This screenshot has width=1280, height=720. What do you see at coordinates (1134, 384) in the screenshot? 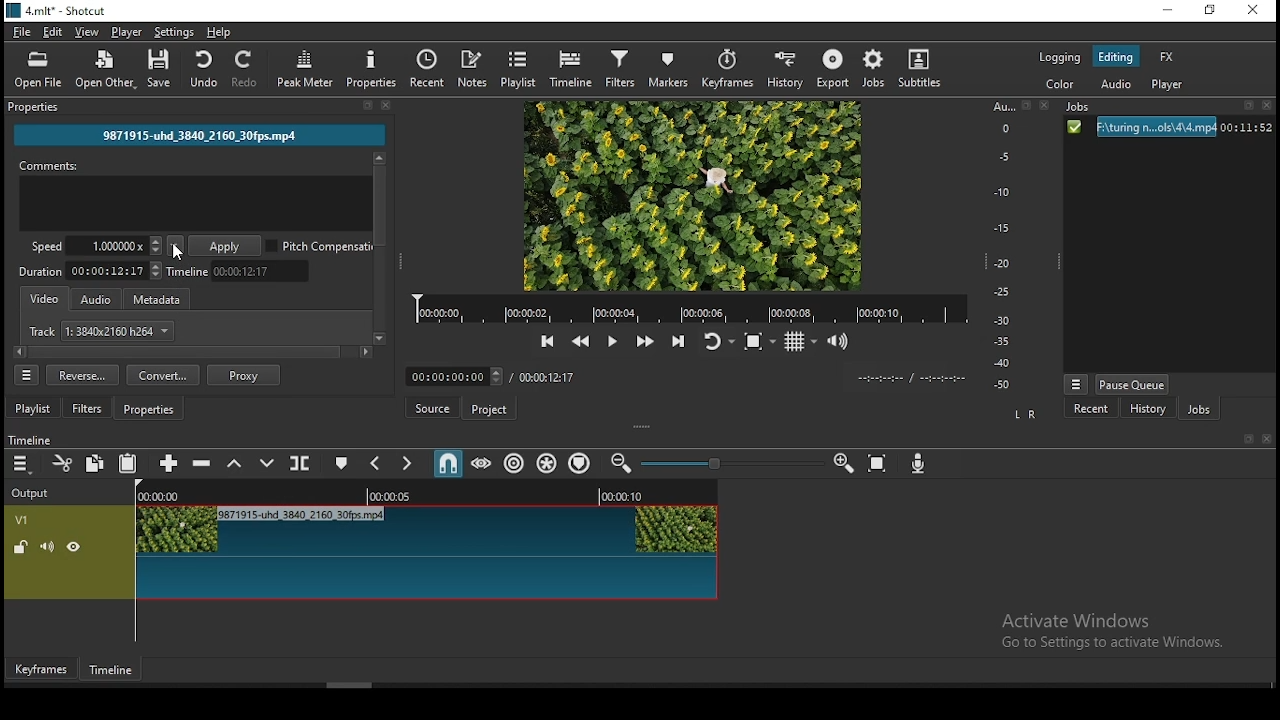
I see `pause queue` at bounding box center [1134, 384].